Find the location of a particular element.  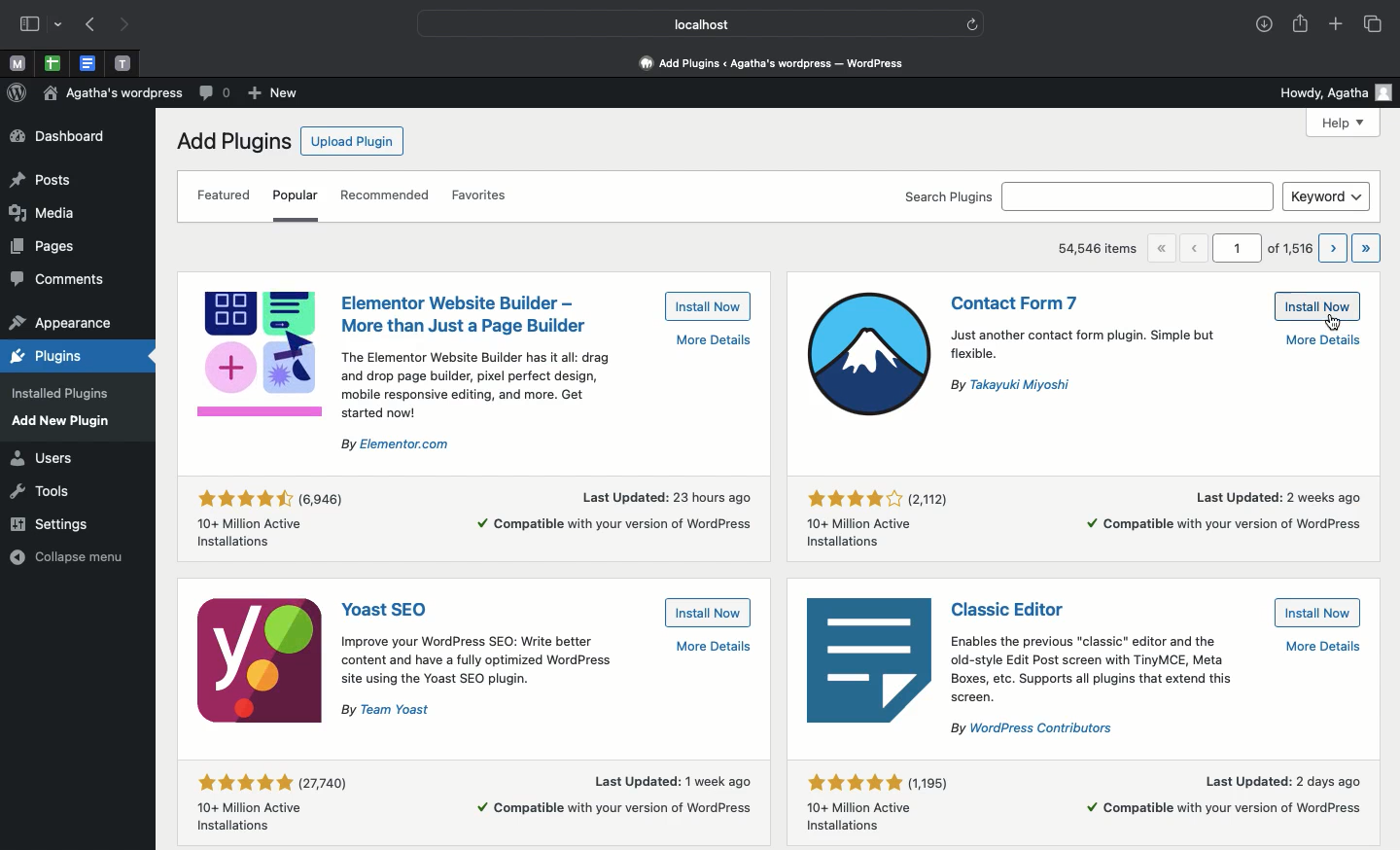

Wordpress name is located at coordinates (115, 96).